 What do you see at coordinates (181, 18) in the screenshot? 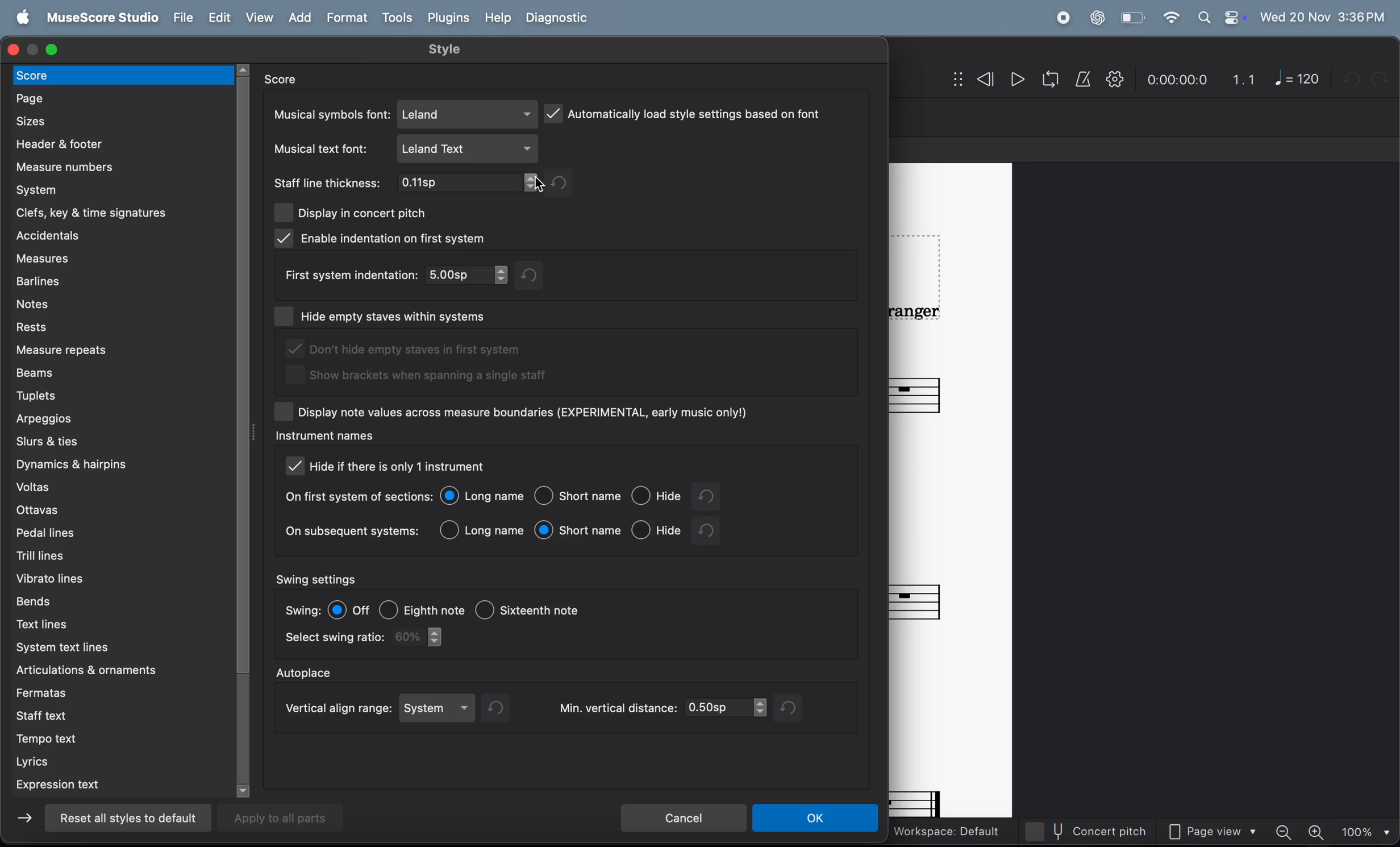
I see `file` at bounding box center [181, 18].